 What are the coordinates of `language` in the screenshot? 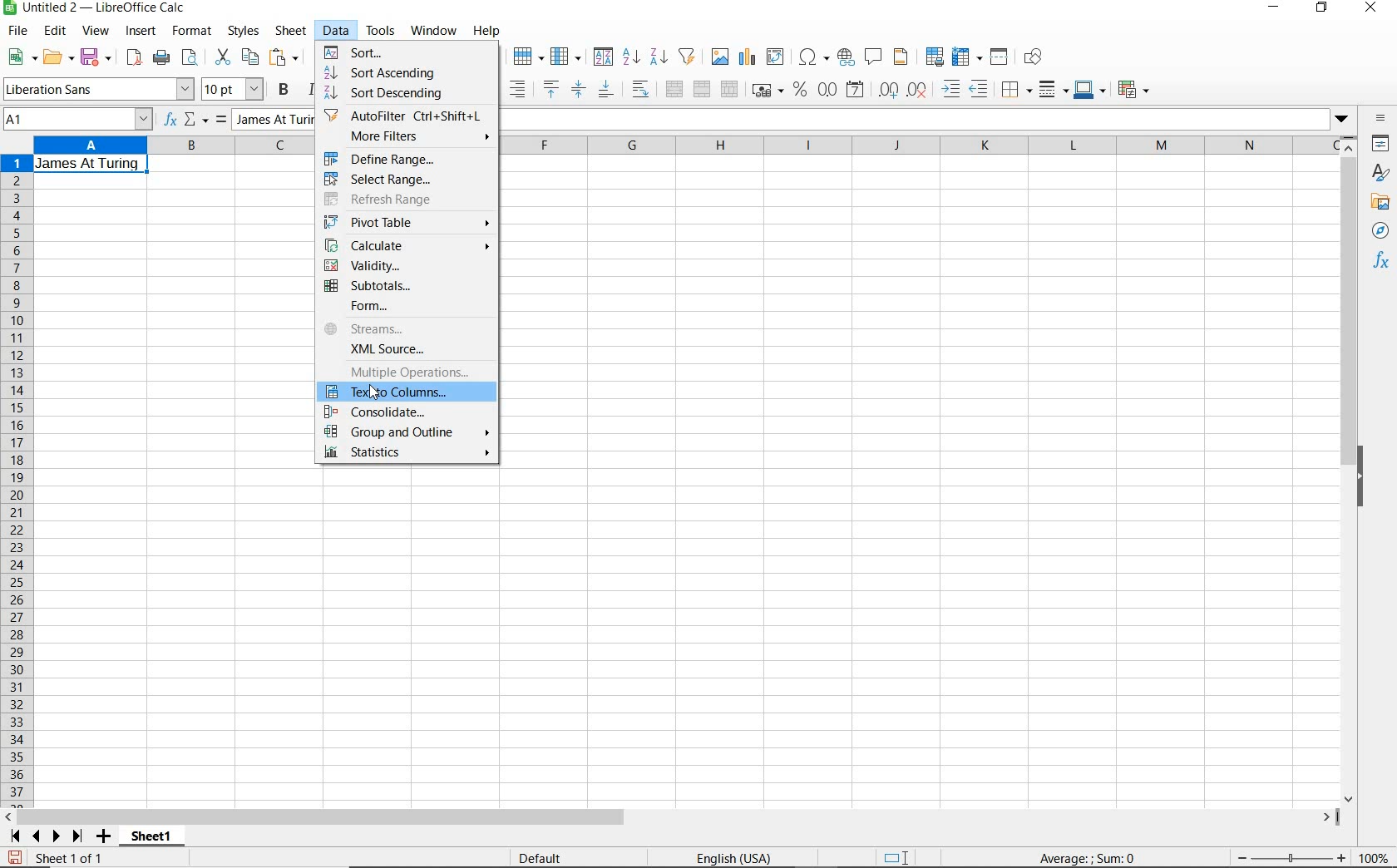 It's located at (733, 857).